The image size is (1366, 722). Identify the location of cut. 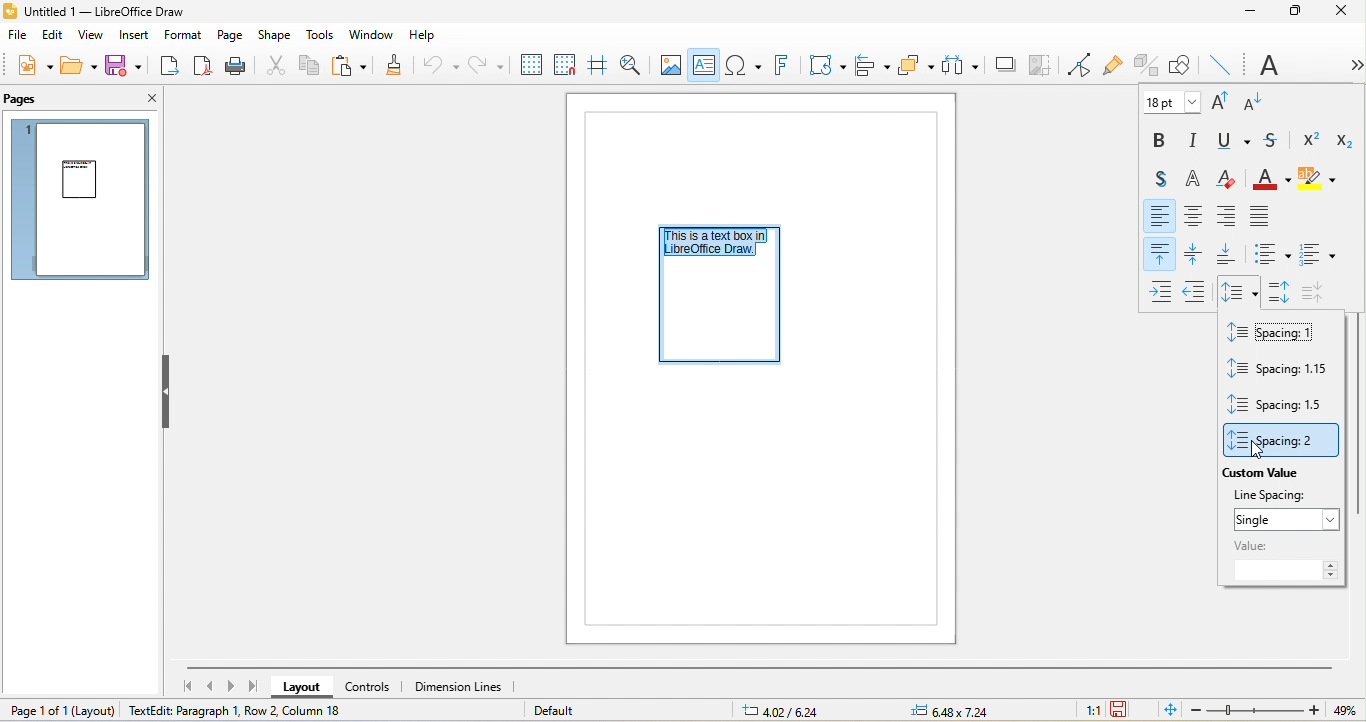
(274, 64).